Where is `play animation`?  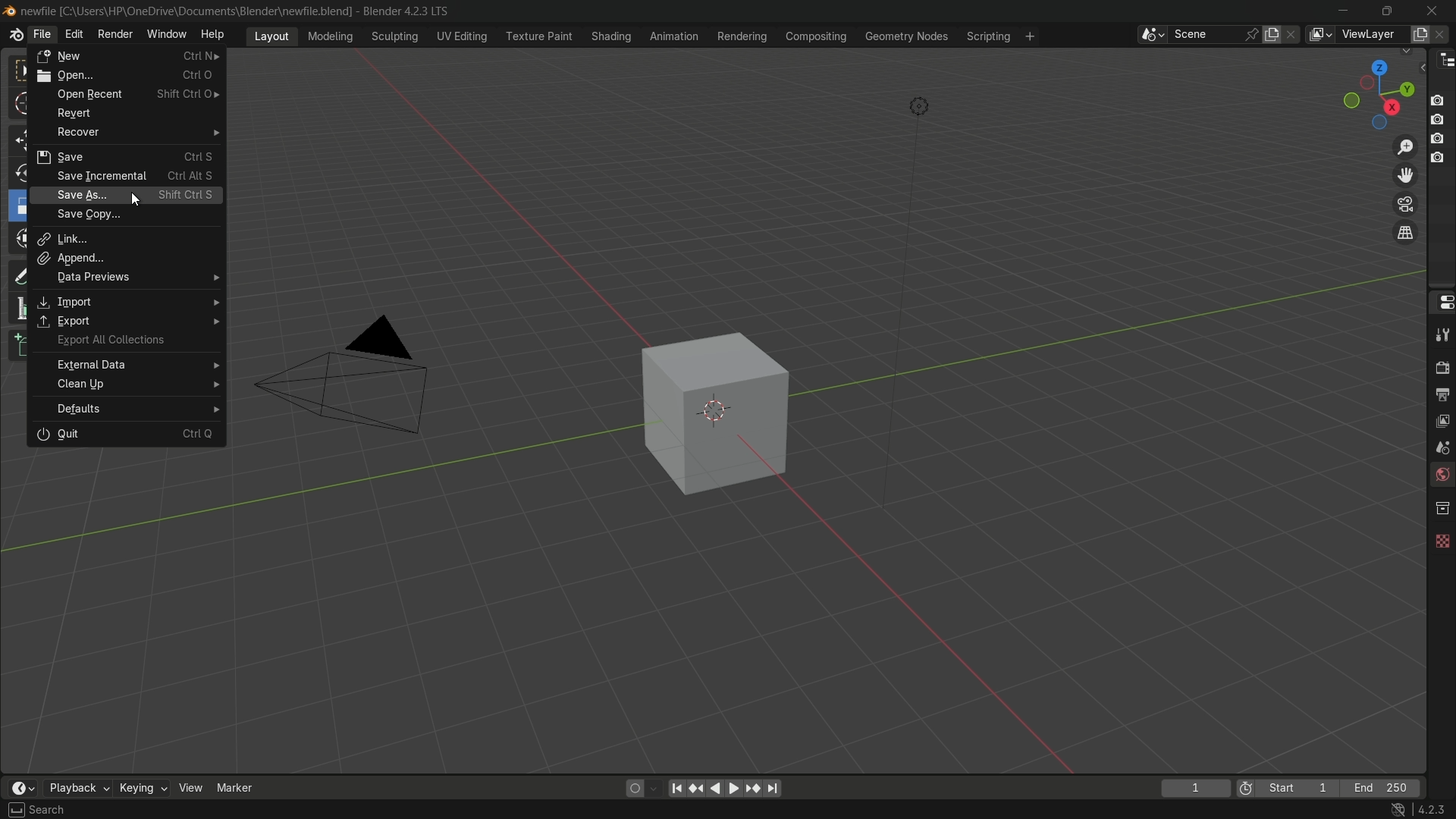 play animation is located at coordinates (725, 788).